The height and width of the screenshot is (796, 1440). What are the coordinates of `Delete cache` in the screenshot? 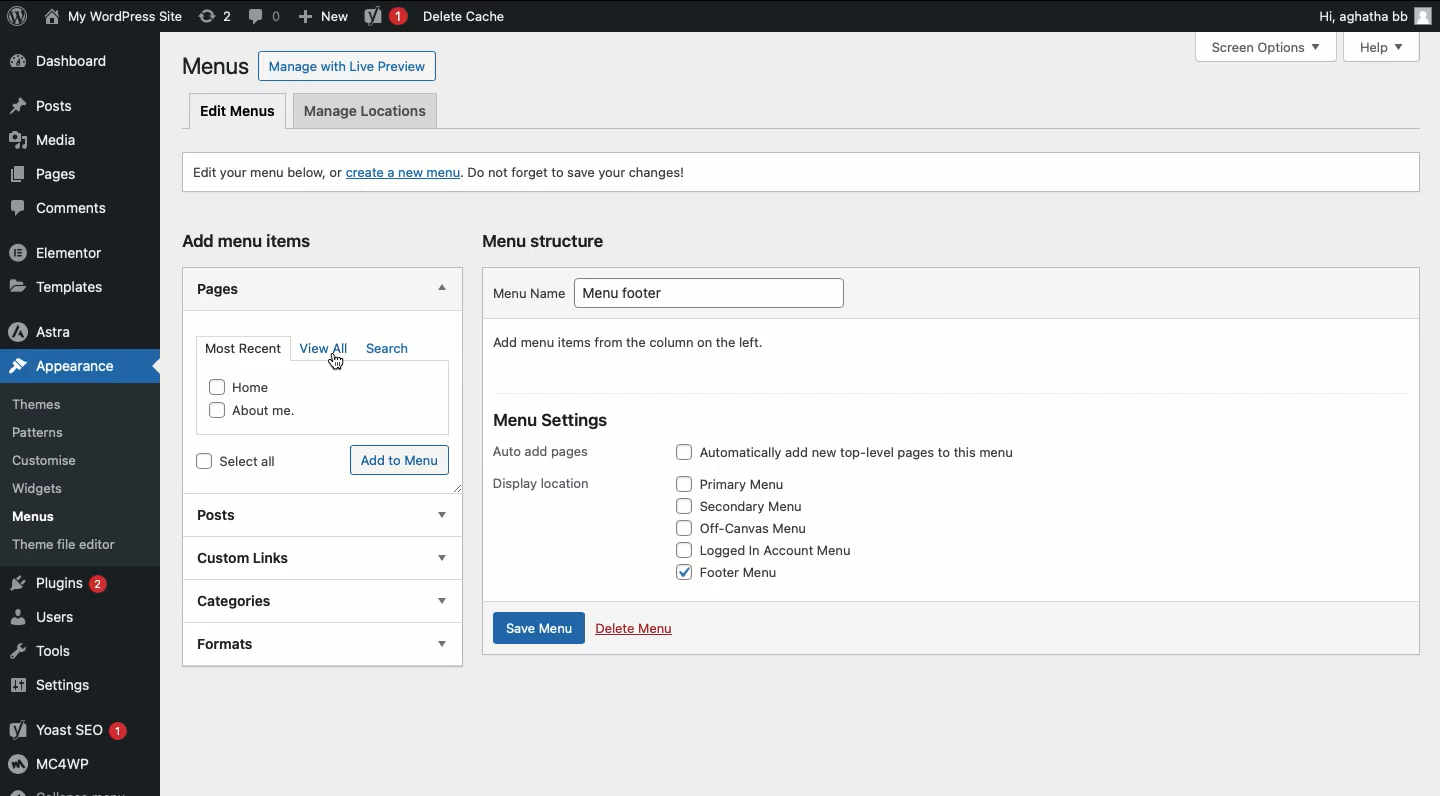 It's located at (463, 17).